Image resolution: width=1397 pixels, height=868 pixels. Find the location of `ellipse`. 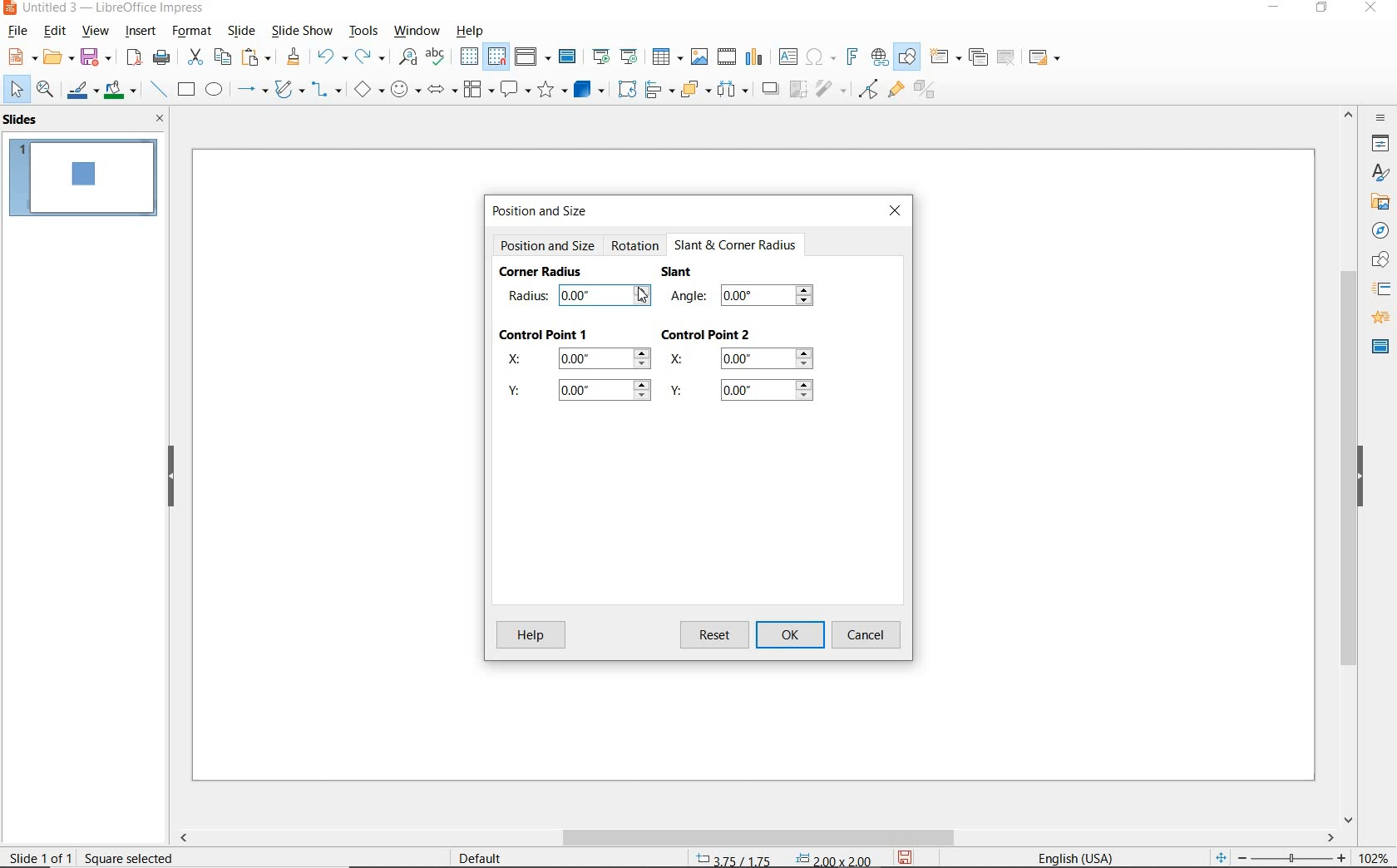

ellipse is located at coordinates (215, 89).